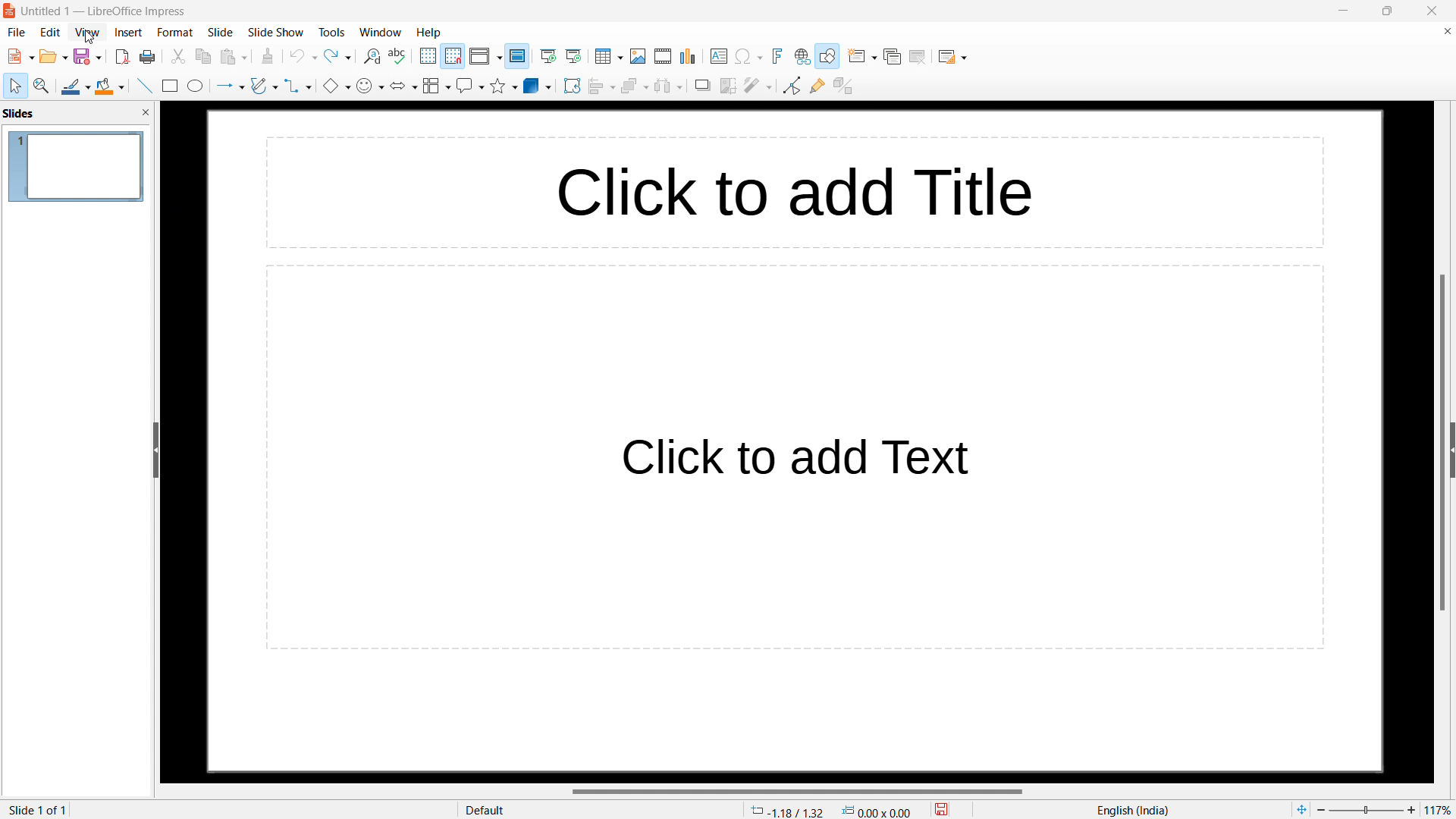 Image resolution: width=1456 pixels, height=819 pixels. Describe the element at coordinates (10, 11) in the screenshot. I see `logo` at that location.